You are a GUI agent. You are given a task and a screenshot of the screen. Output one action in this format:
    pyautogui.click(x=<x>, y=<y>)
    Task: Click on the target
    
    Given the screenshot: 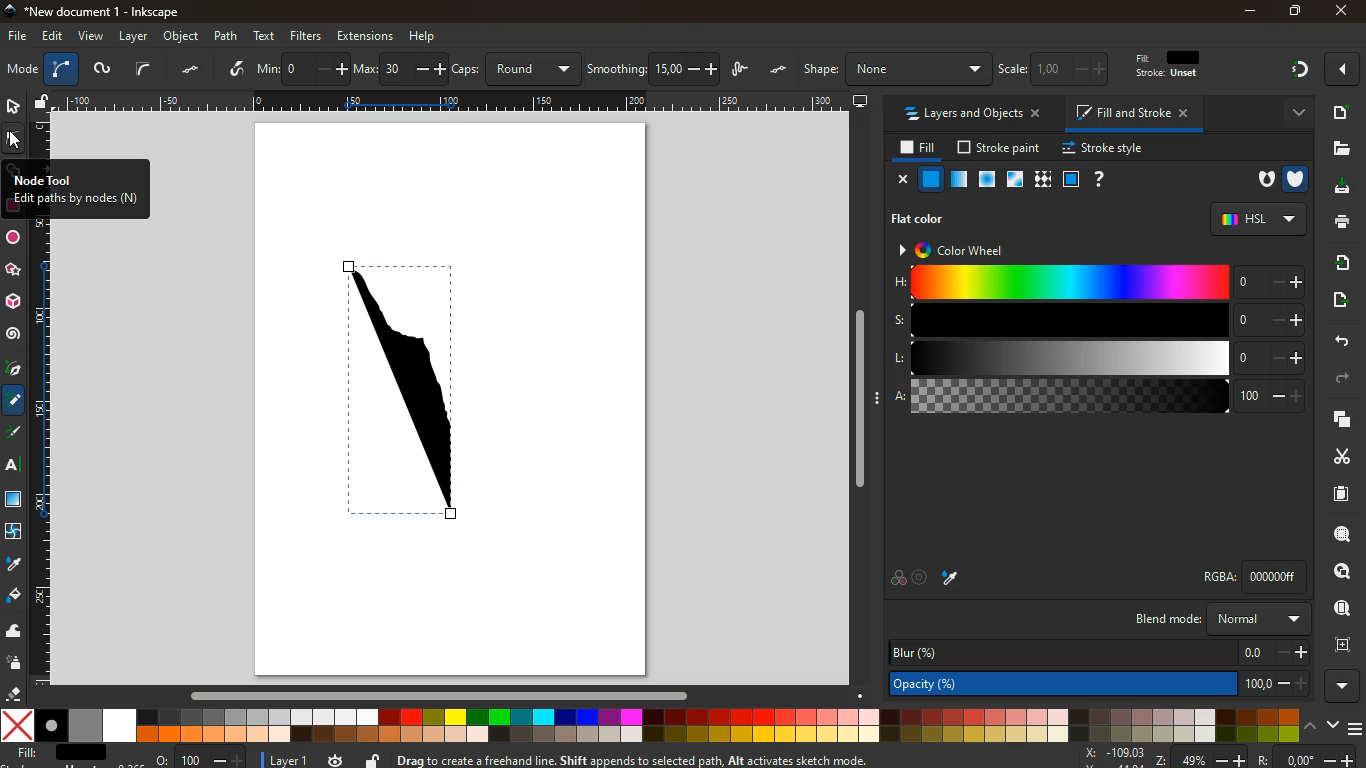 What is the action you would take?
    pyautogui.click(x=922, y=578)
    